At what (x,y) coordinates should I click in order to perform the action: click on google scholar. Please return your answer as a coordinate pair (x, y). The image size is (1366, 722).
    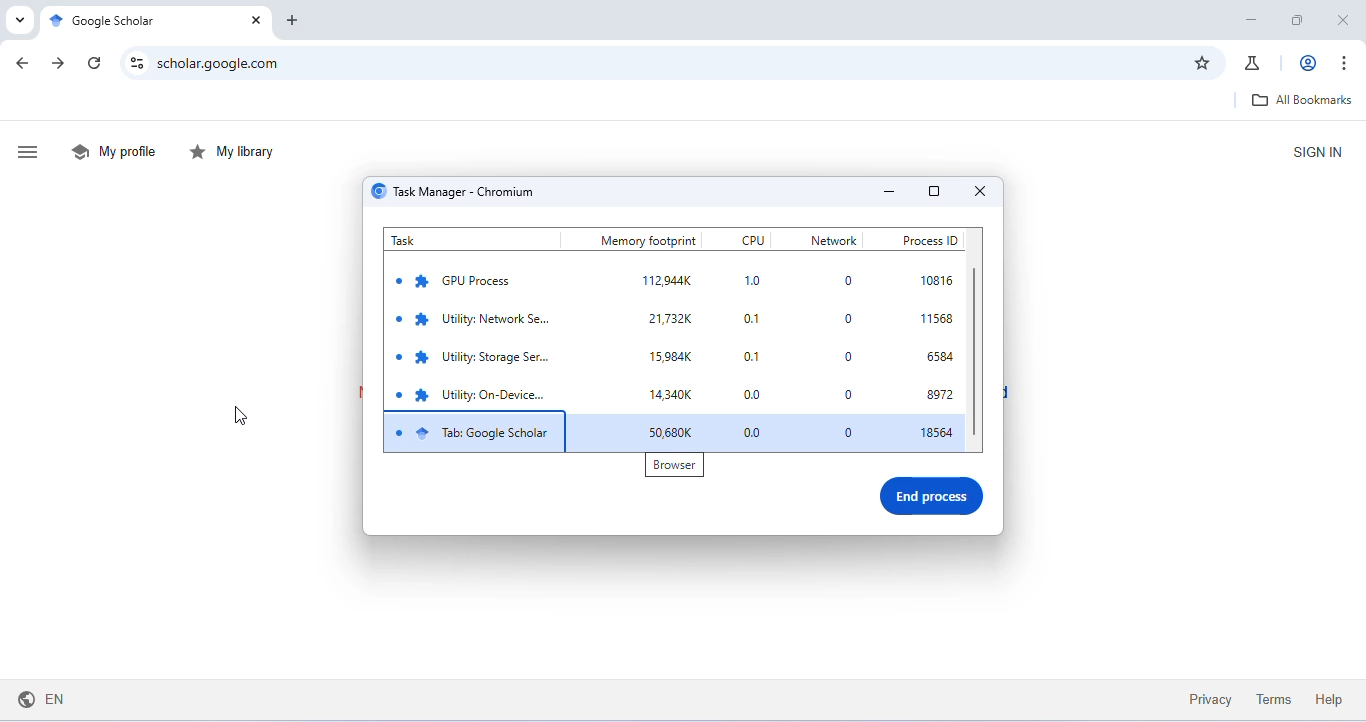
    Looking at the image, I should click on (111, 21).